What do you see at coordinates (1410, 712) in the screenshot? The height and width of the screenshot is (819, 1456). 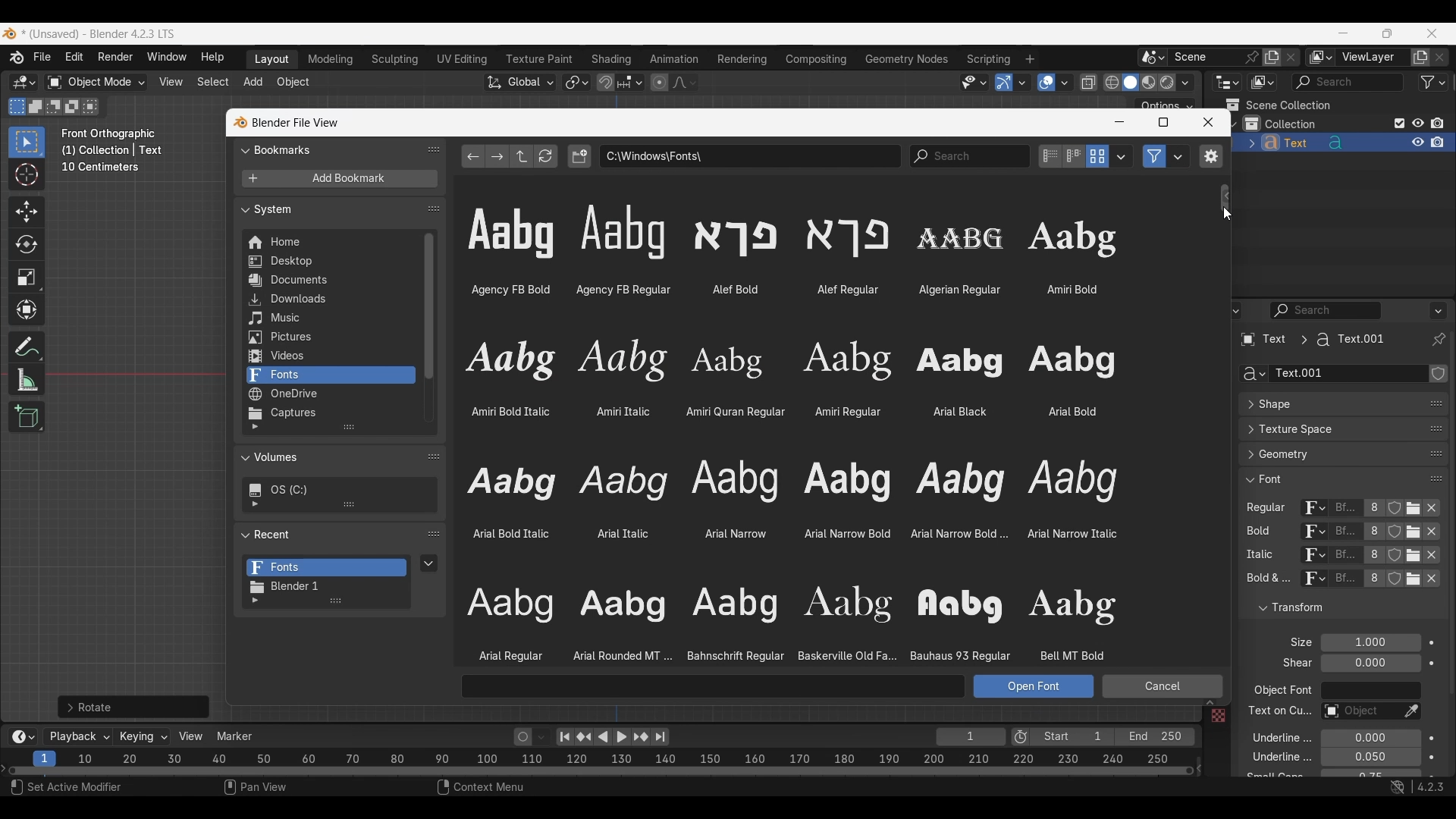 I see `Eyedropper data-block` at bounding box center [1410, 712].